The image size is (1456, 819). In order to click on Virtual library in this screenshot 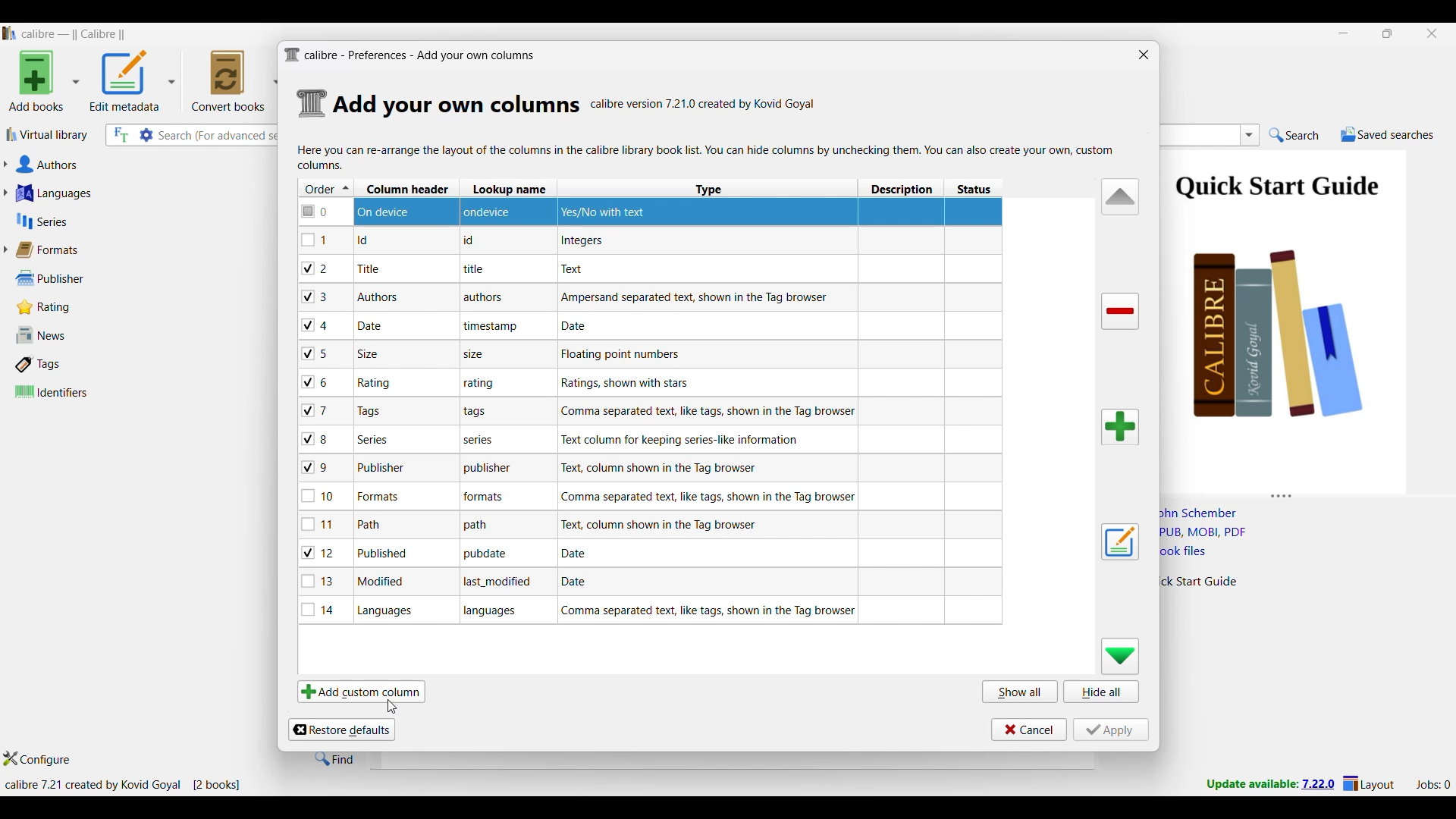, I will do `click(48, 134)`.